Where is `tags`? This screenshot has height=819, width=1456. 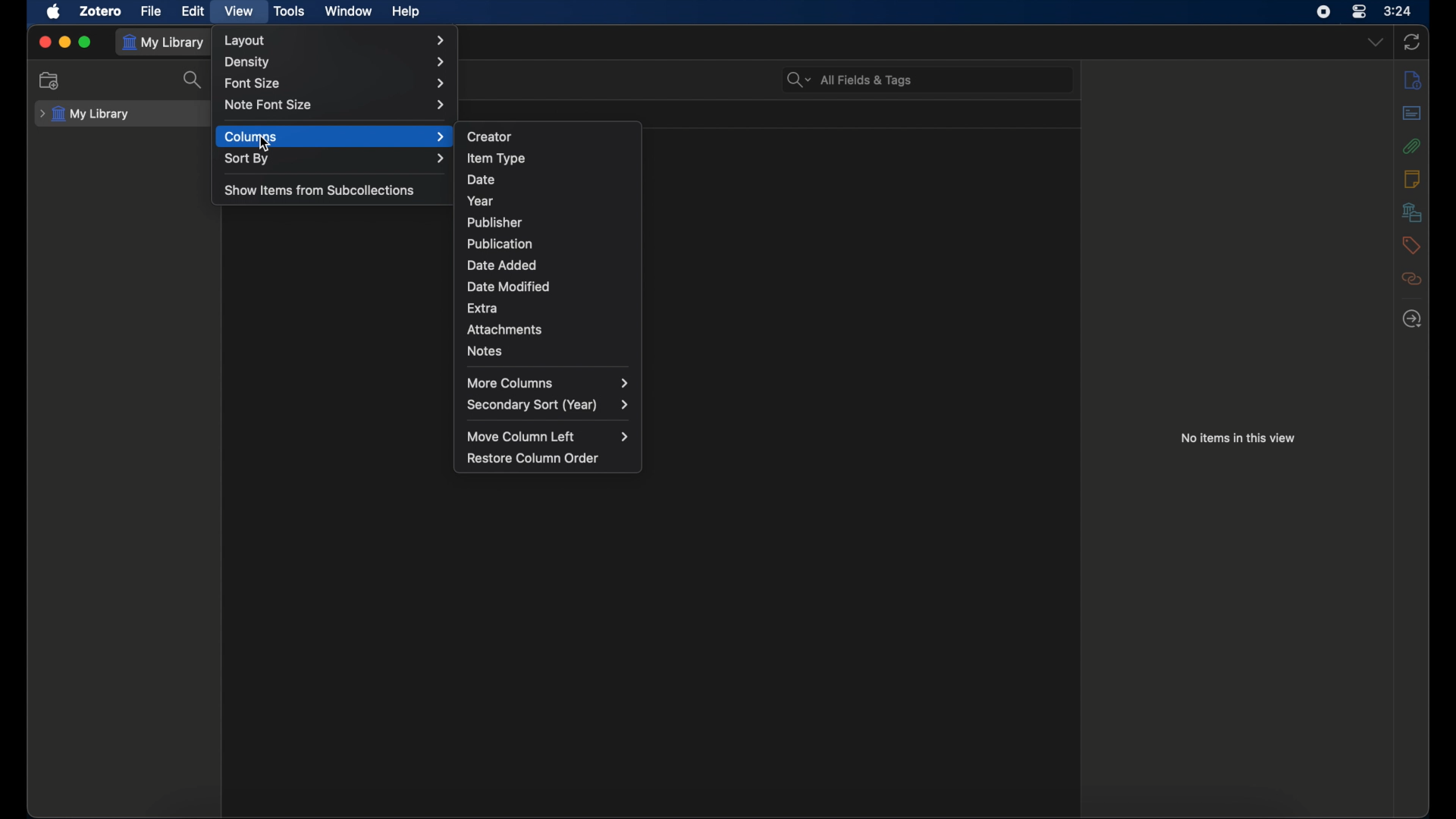
tags is located at coordinates (1409, 244).